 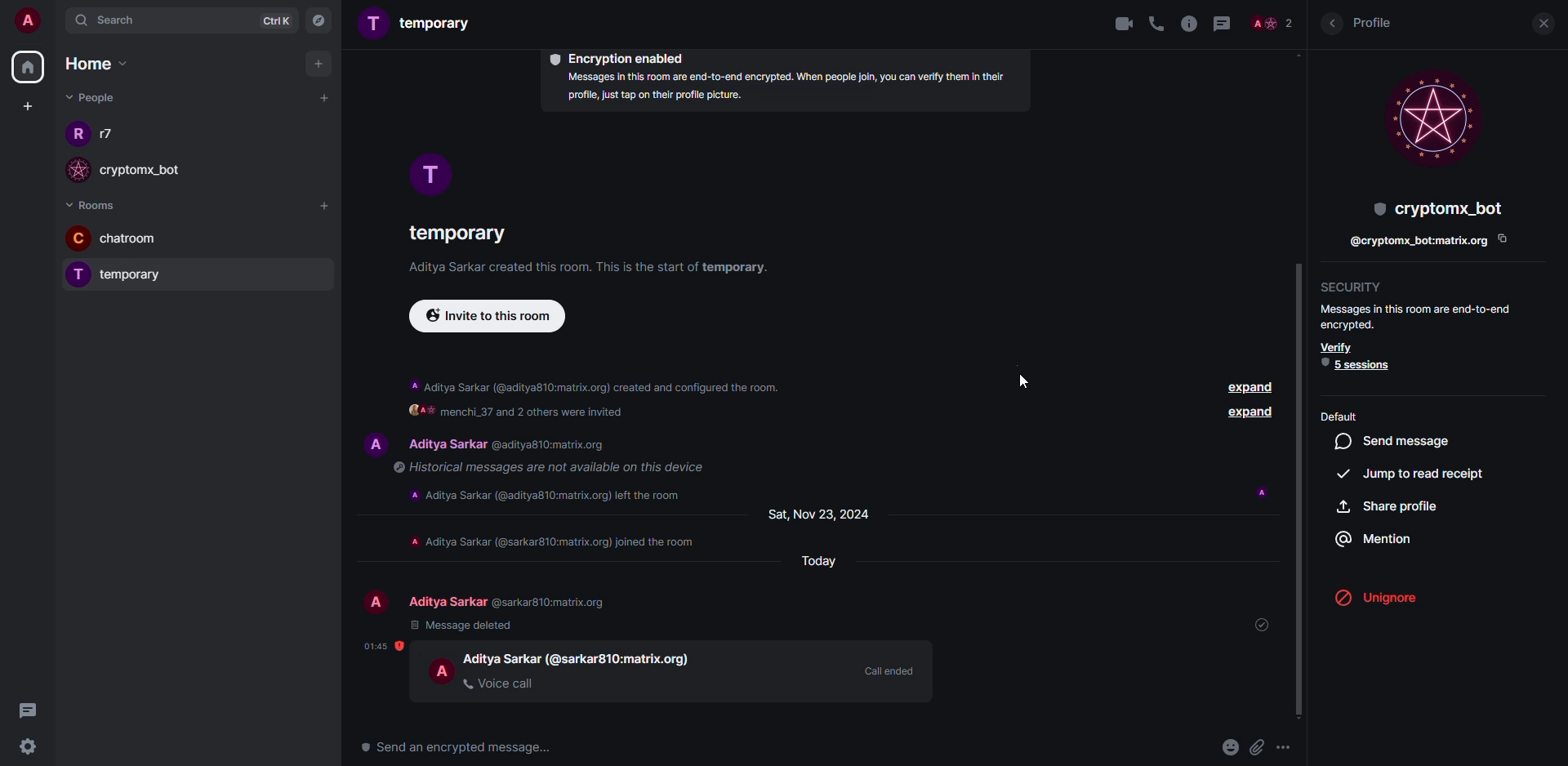 What do you see at coordinates (544, 467) in the screenshot?
I see `info` at bounding box center [544, 467].